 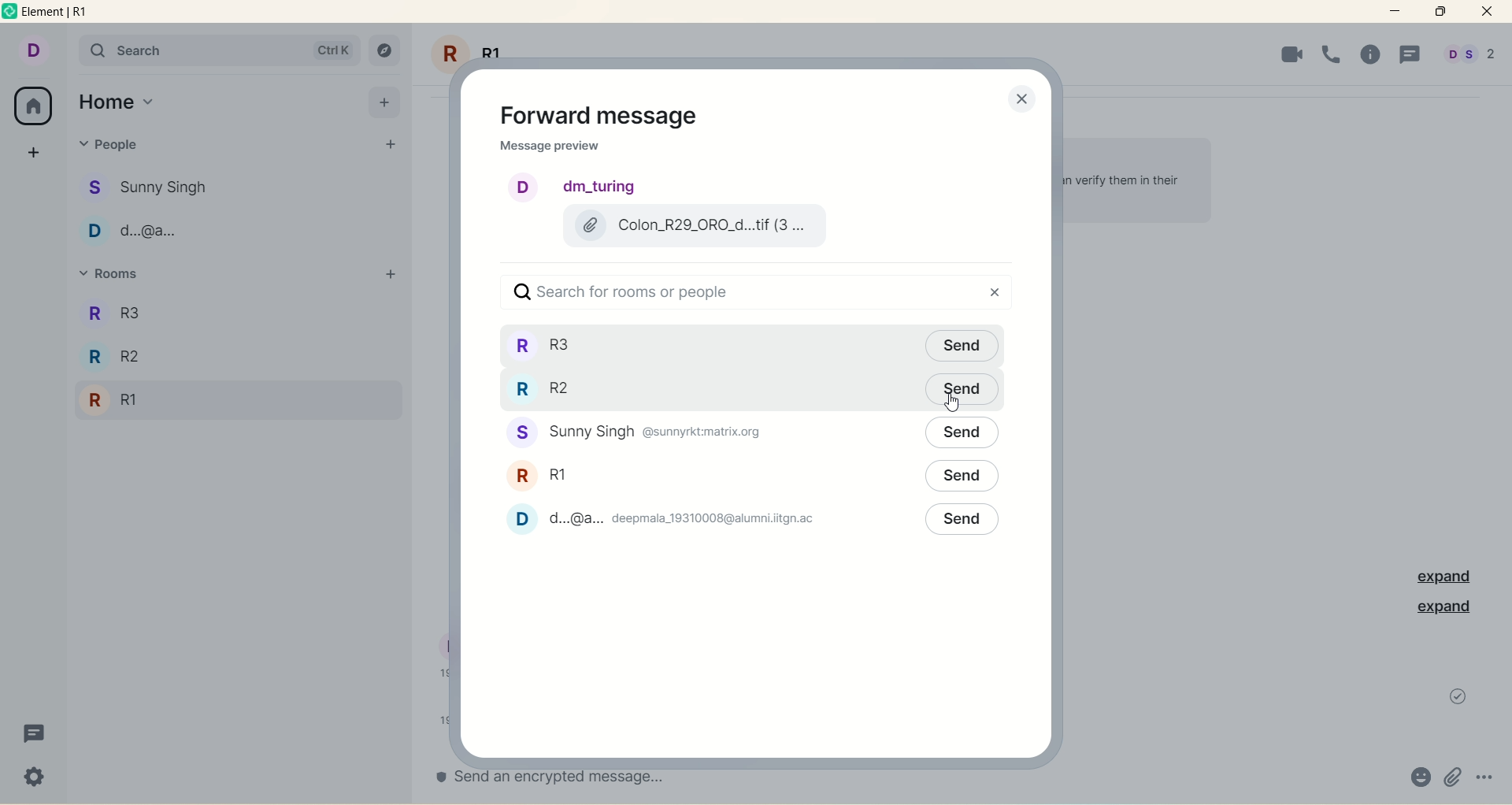 What do you see at coordinates (11, 14) in the screenshot?
I see `logo` at bounding box center [11, 14].